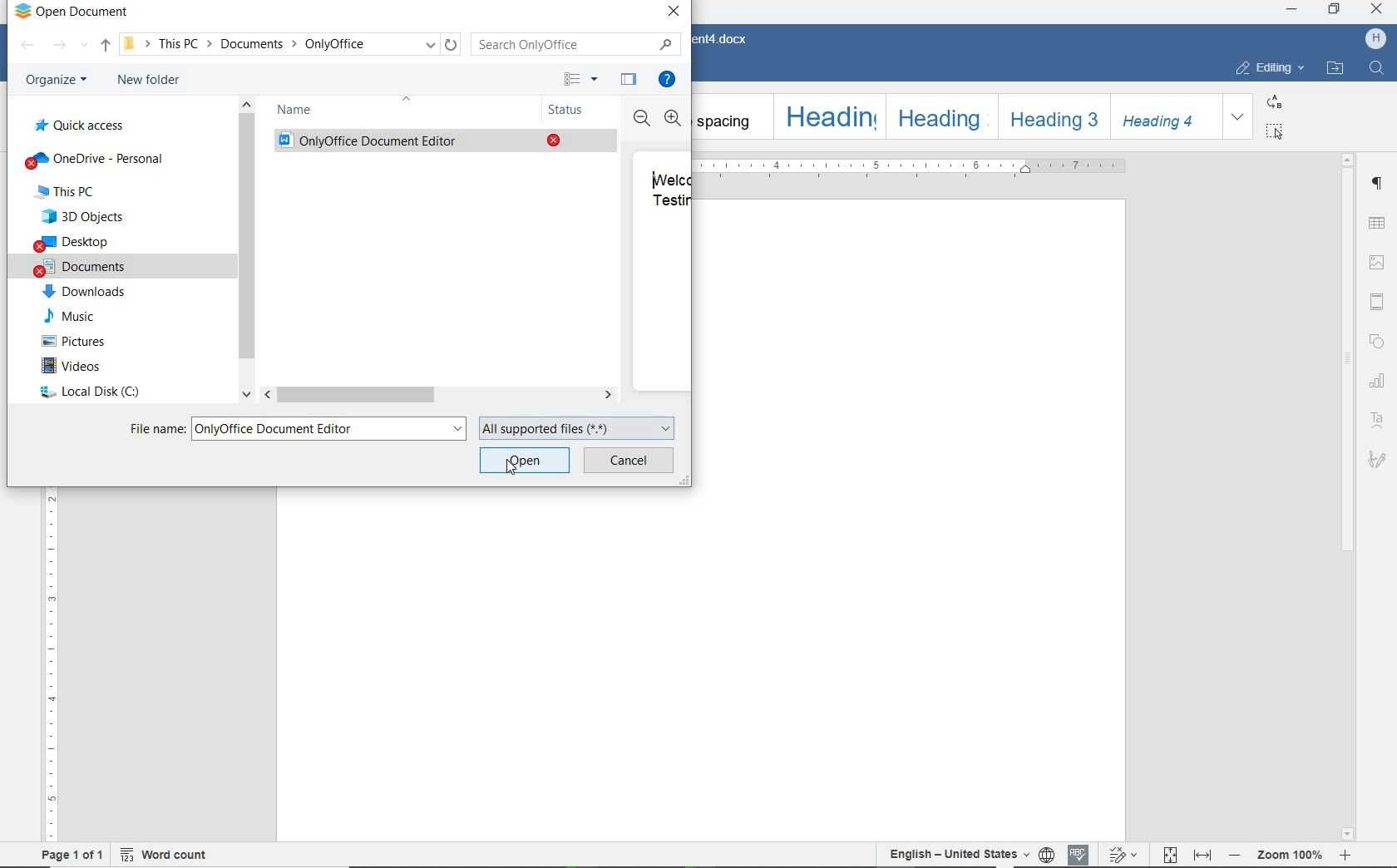 This screenshot has width=1397, height=868. I want to click on quick access, so click(91, 128).